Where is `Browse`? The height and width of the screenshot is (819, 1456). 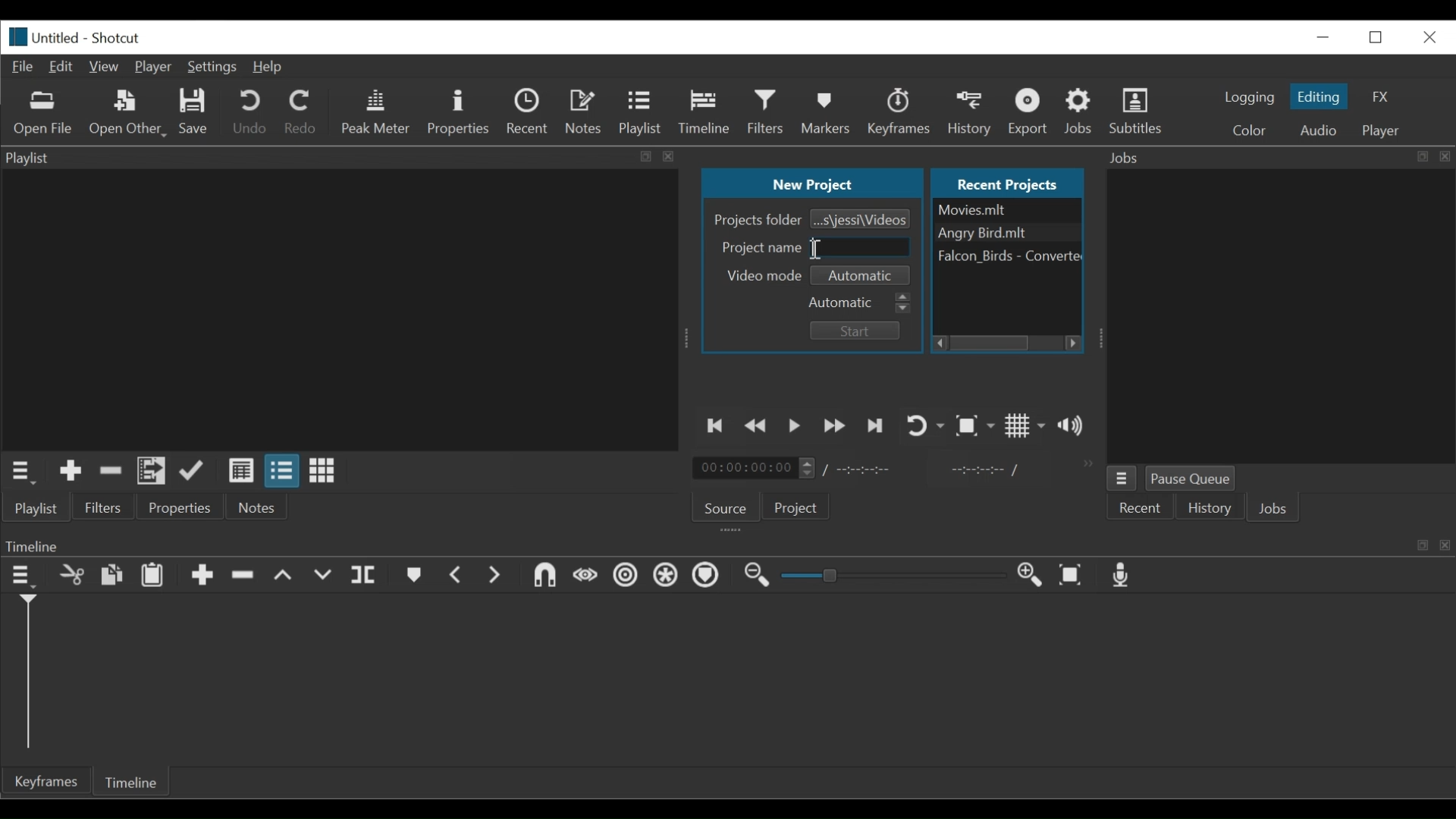
Browse is located at coordinates (861, 219).